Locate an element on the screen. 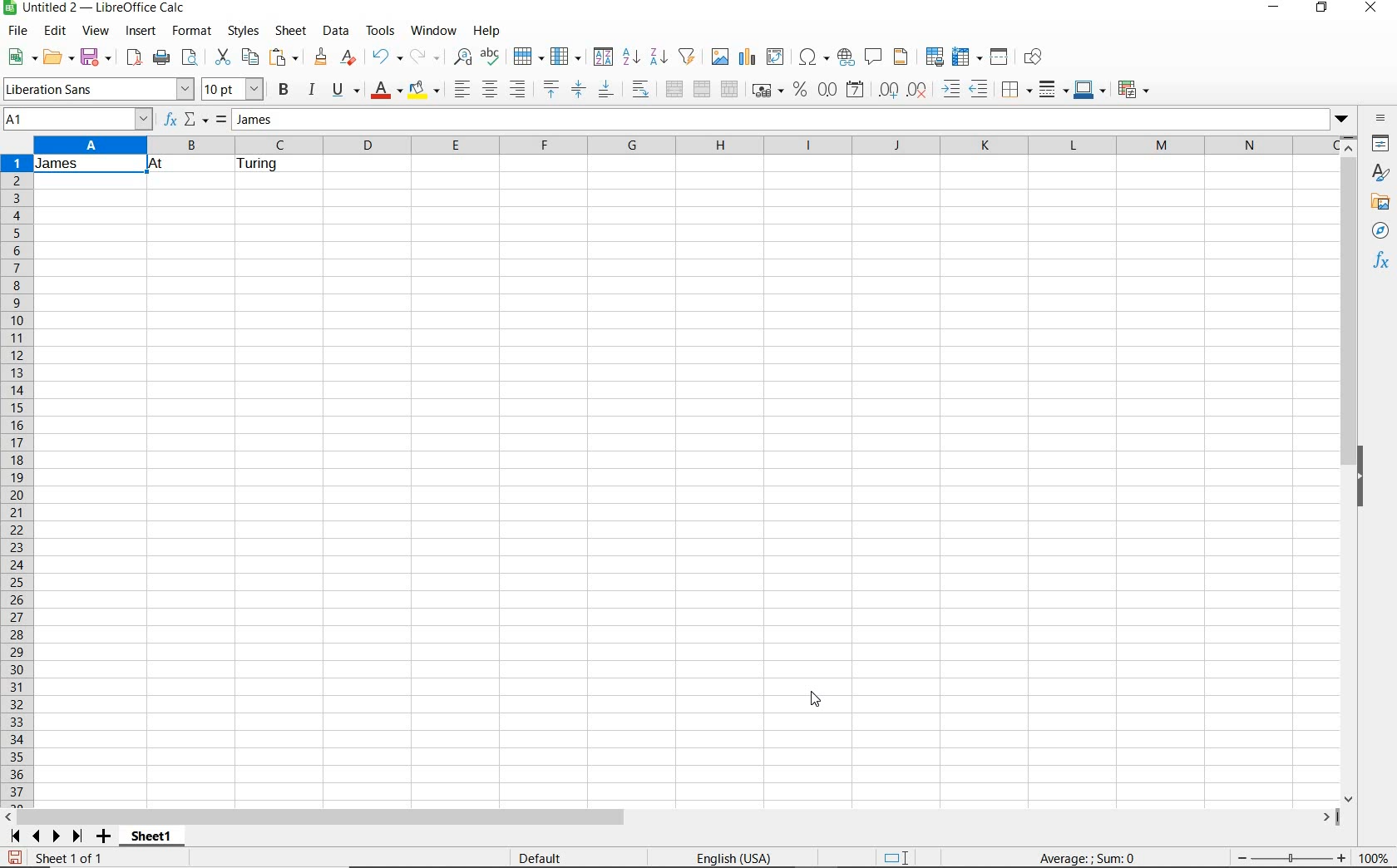 The image size is (1397, 868). spelling is located at coordinates (490, 57).